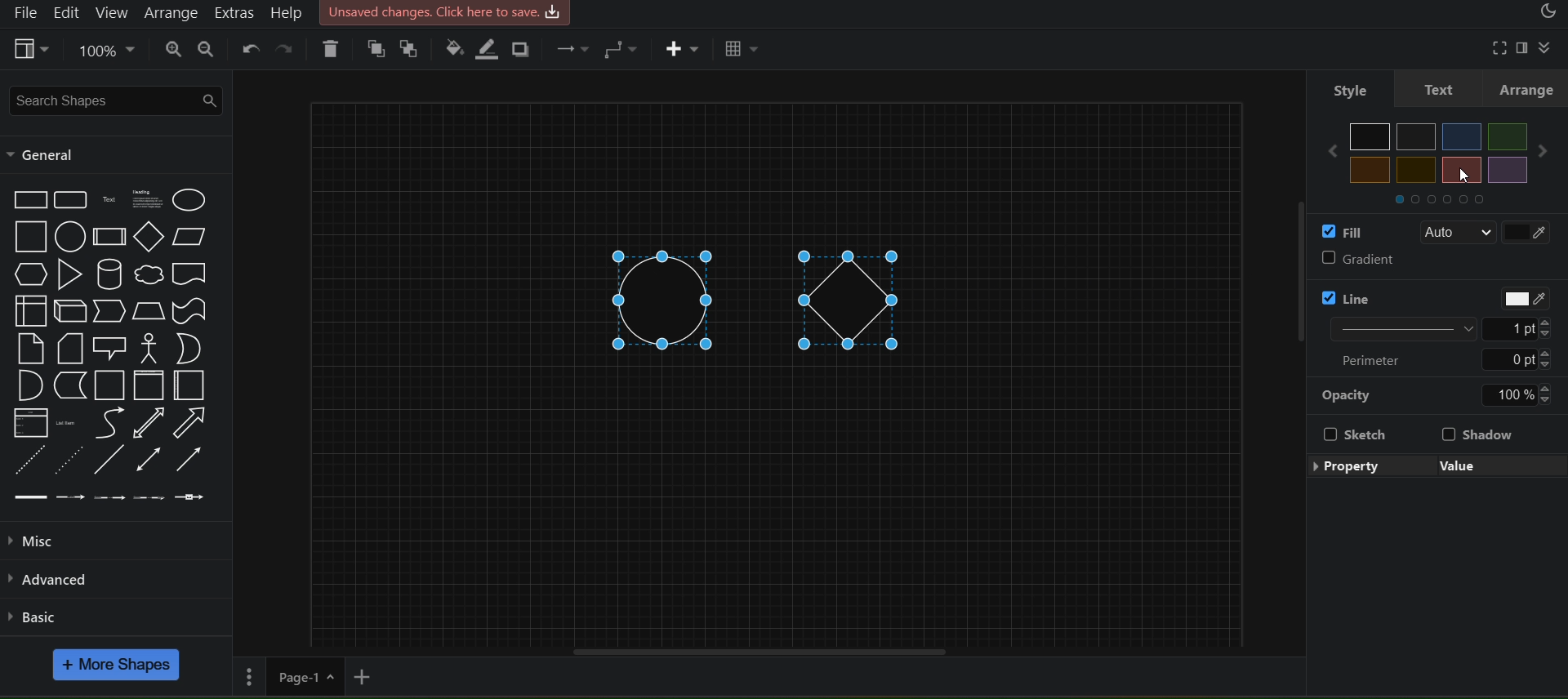 The height and width of the screenshot is (699, 1568). What do you see at coordinates (1432, 263) in the screenshot?
I see `gradient` at bounding box center [1432, 263].